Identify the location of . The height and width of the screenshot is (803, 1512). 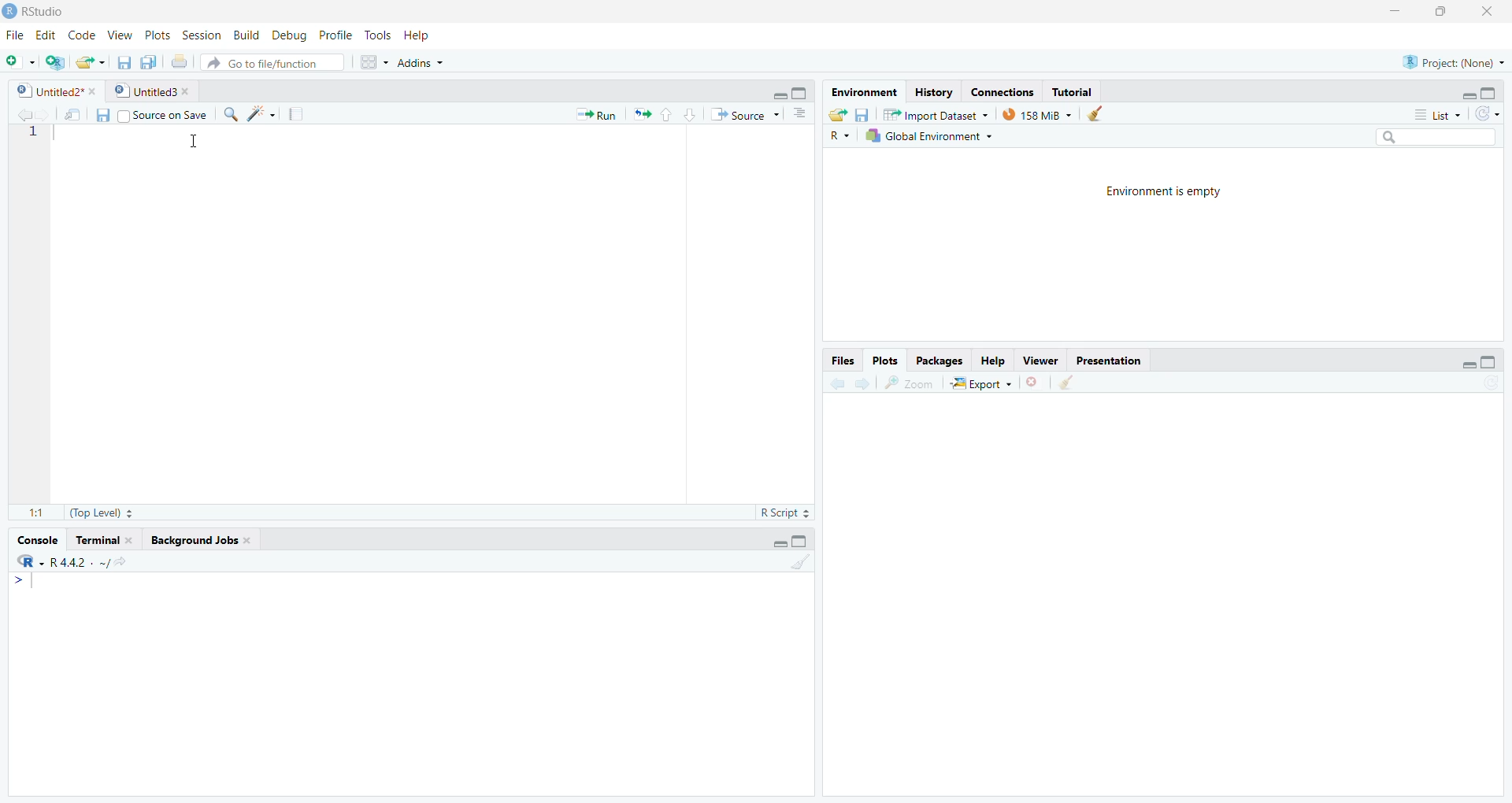
(675, 113).